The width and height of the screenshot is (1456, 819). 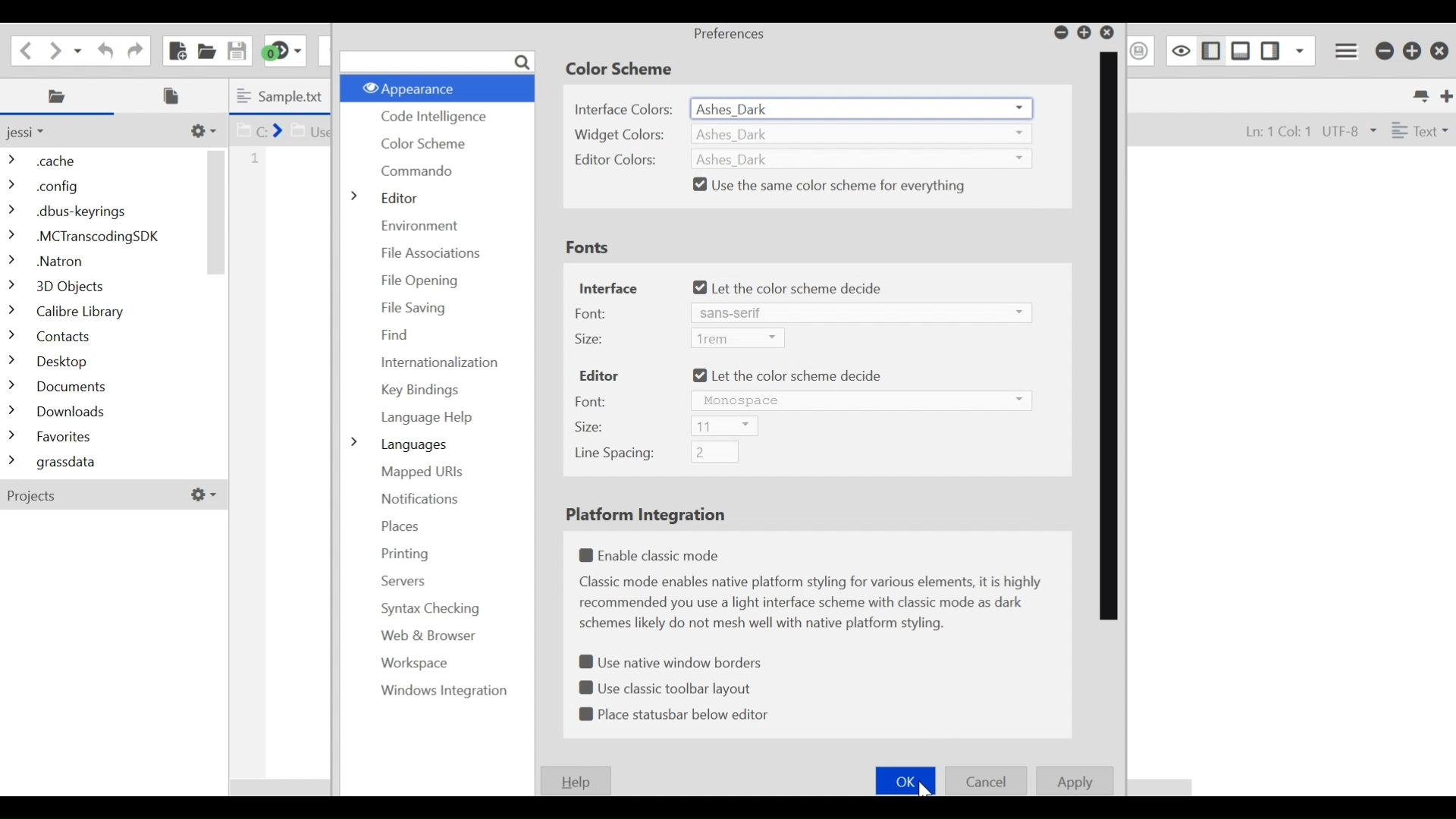 I want to click on Restor, so click(x=1084, y=33).